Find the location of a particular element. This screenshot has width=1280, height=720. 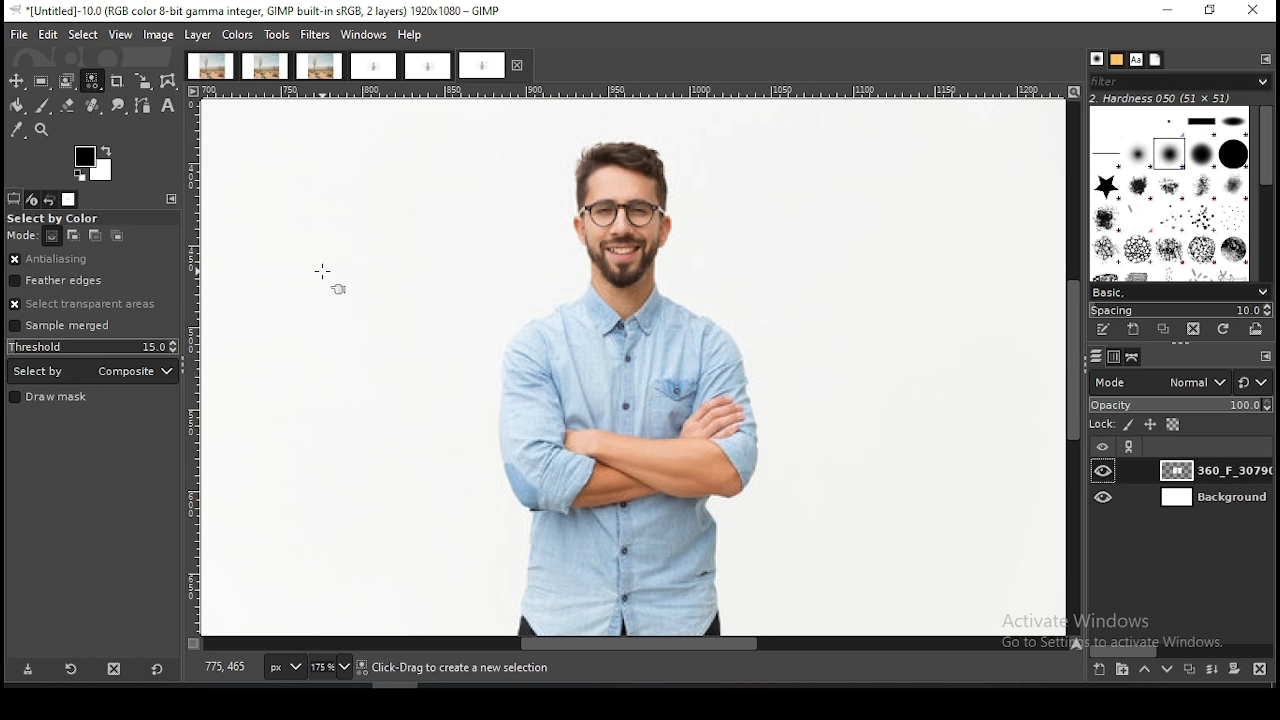

mouse pointer is located at coordinates (331, 276).